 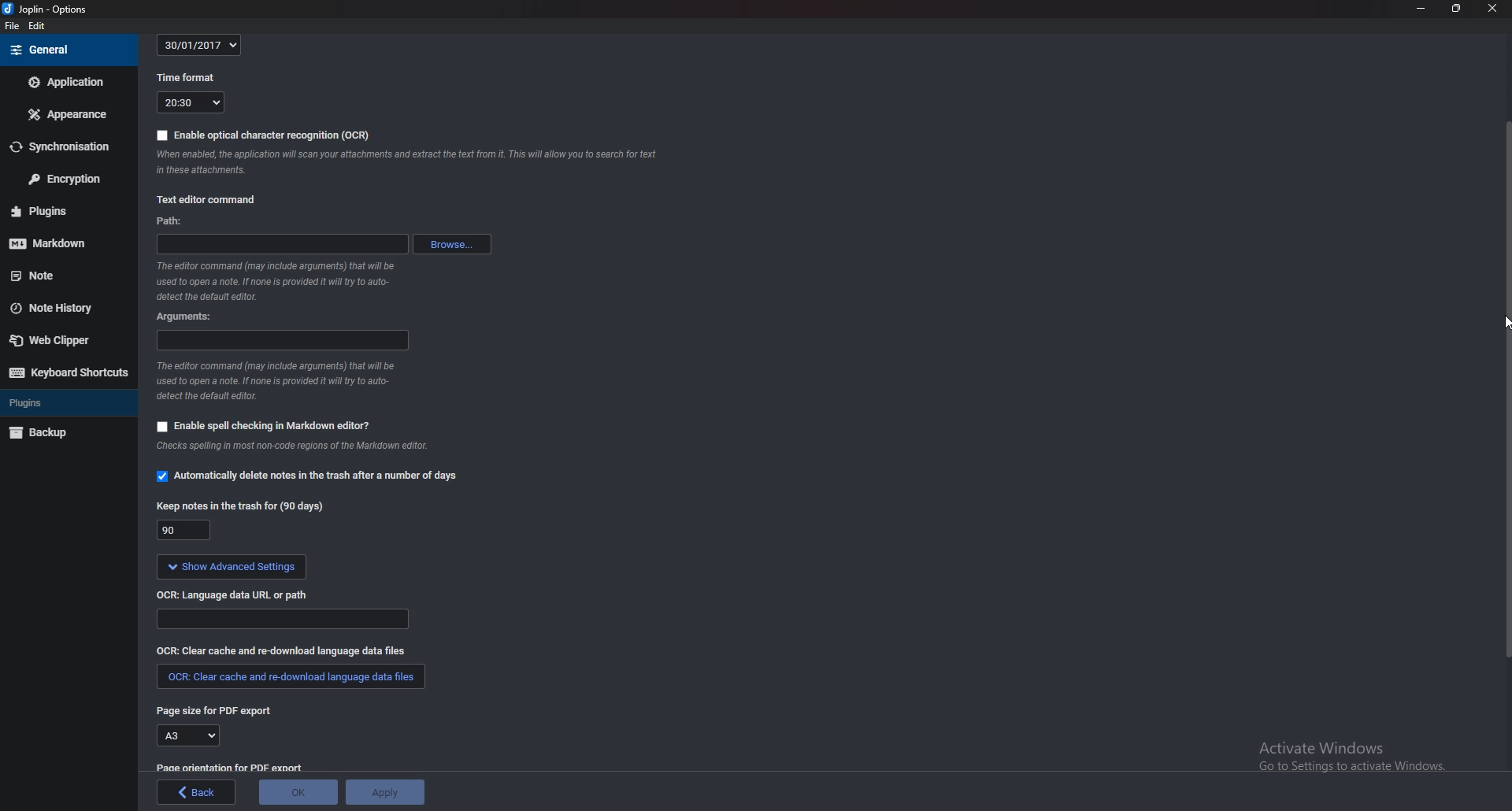 I want to click on path, so click(x=171, y=220).